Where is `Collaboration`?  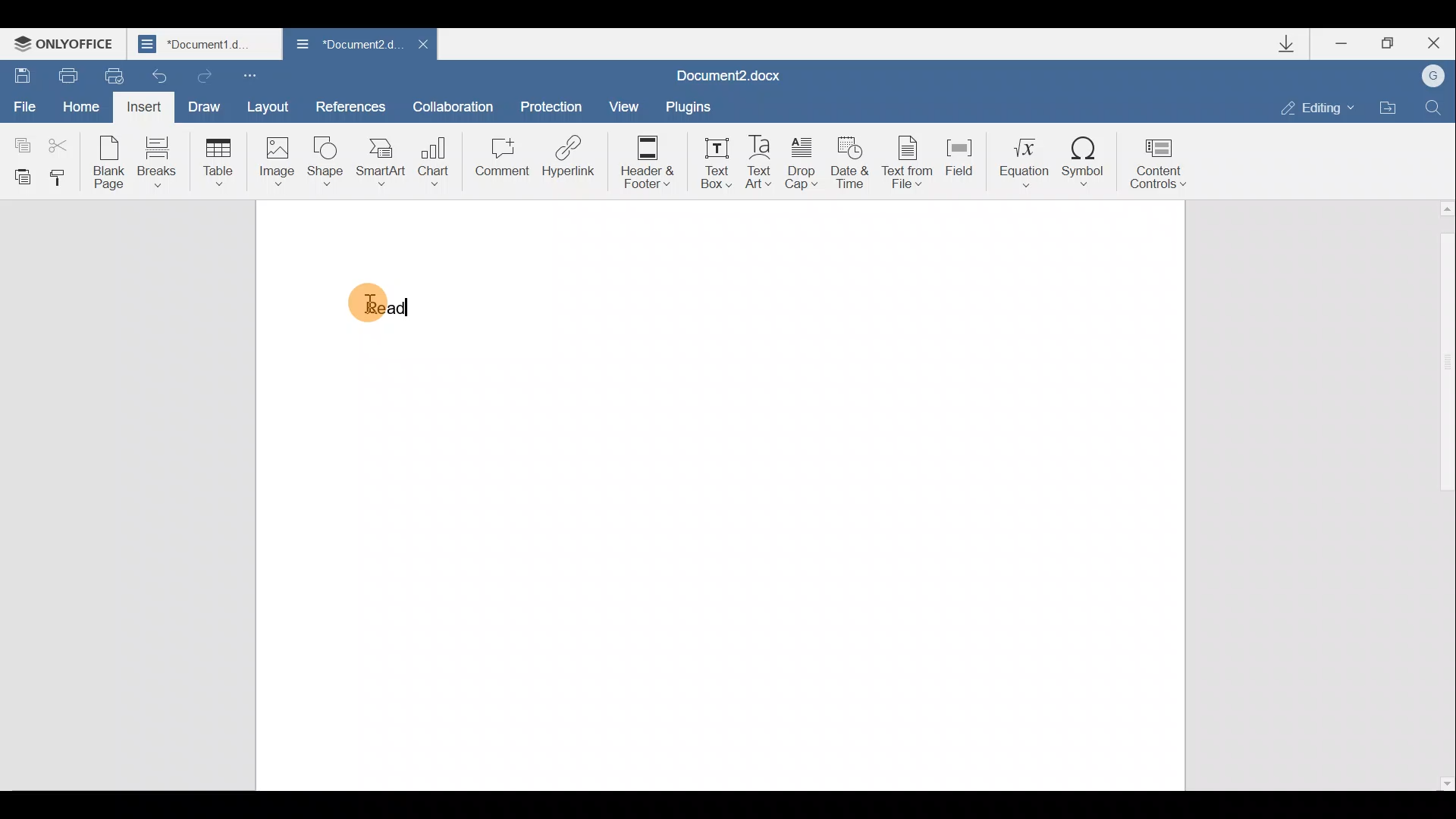
Collaboration is located at coordinates (453, 104).